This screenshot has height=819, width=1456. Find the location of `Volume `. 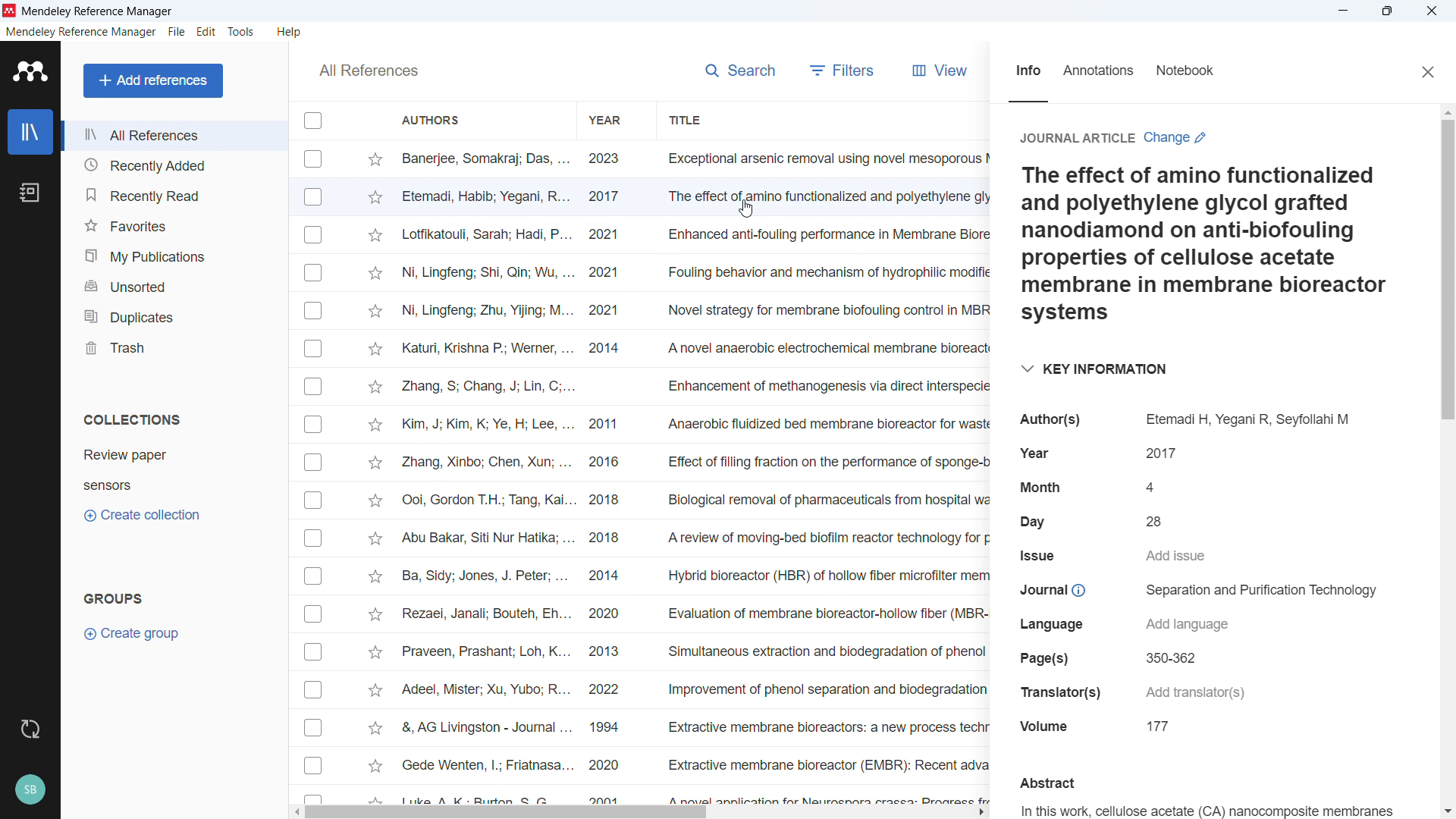

Volume  is located at coordinates (1095, 724).